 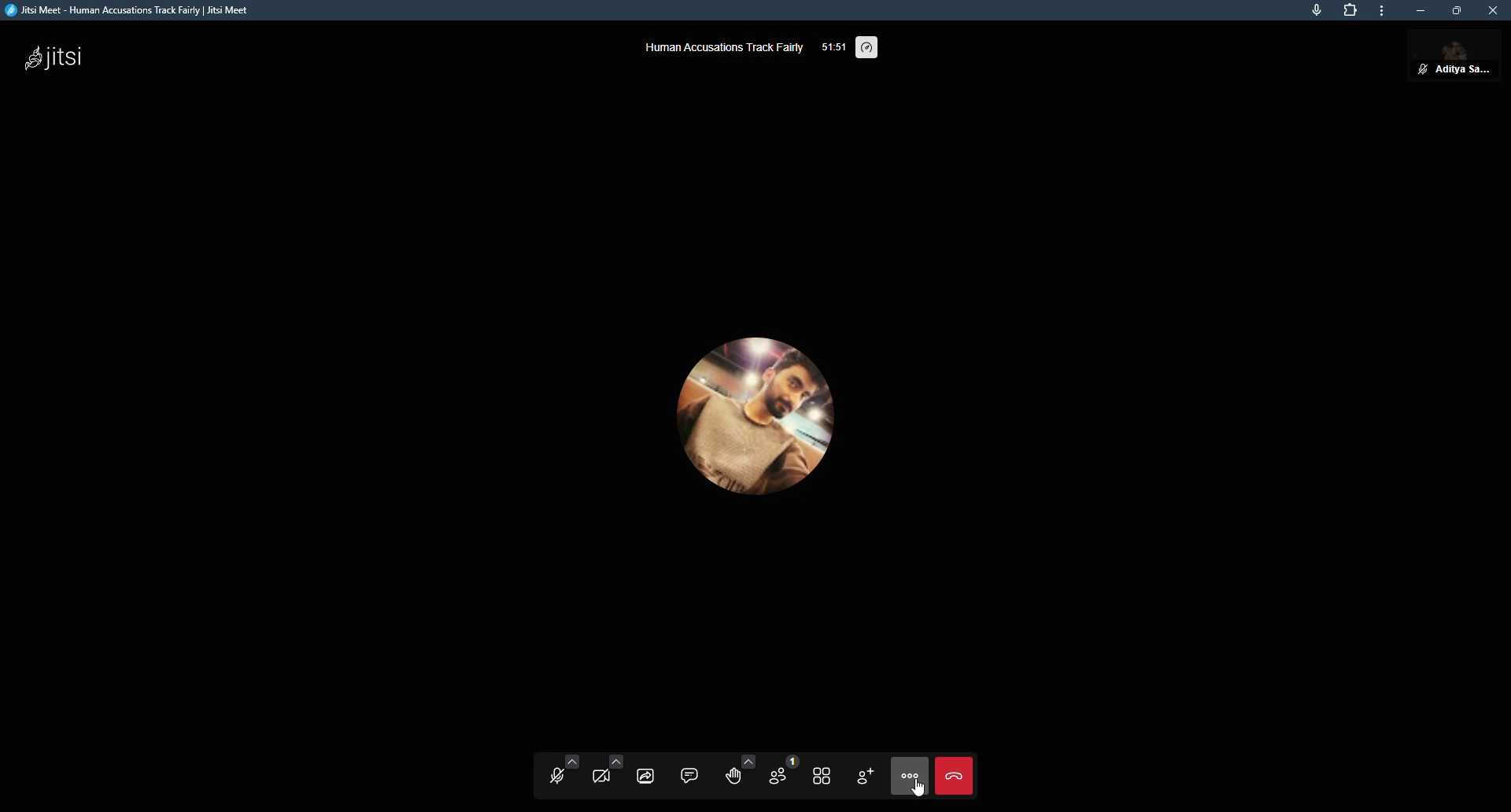 I want to click on more actions, so click(x=909, y=777).